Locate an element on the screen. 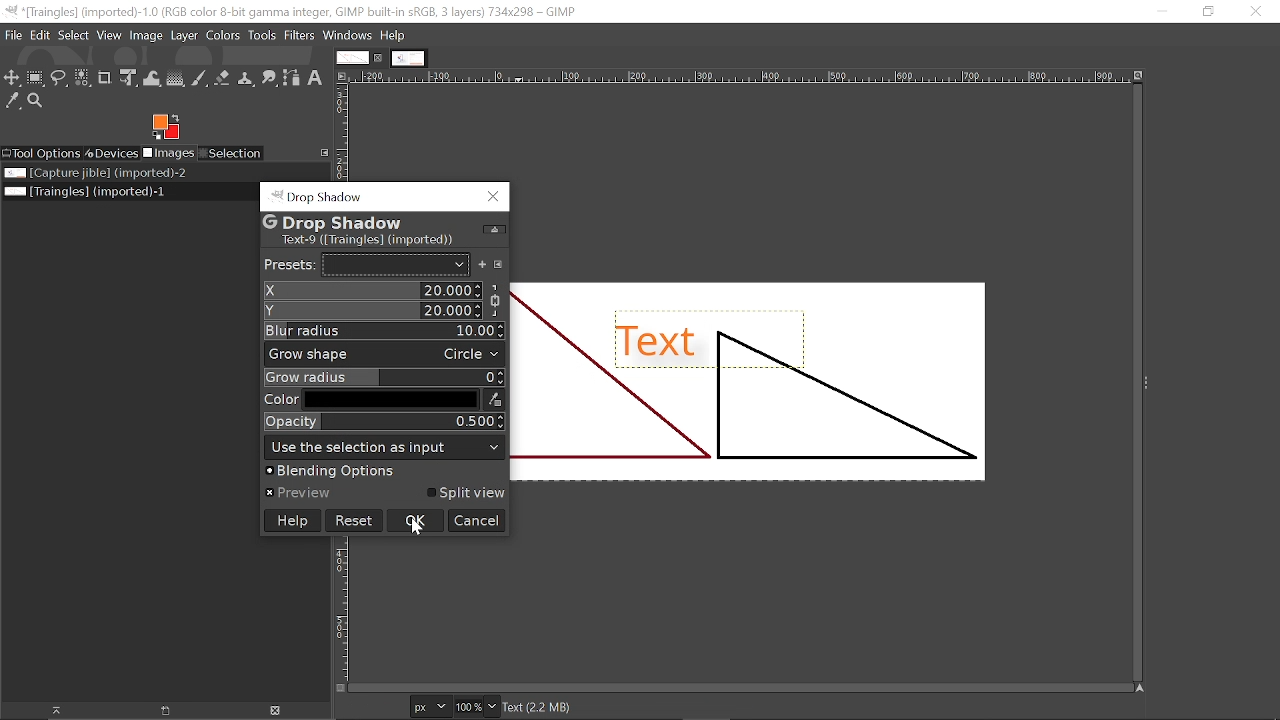  Image file titled "Capture jible" is located at coordinates (93, 174).